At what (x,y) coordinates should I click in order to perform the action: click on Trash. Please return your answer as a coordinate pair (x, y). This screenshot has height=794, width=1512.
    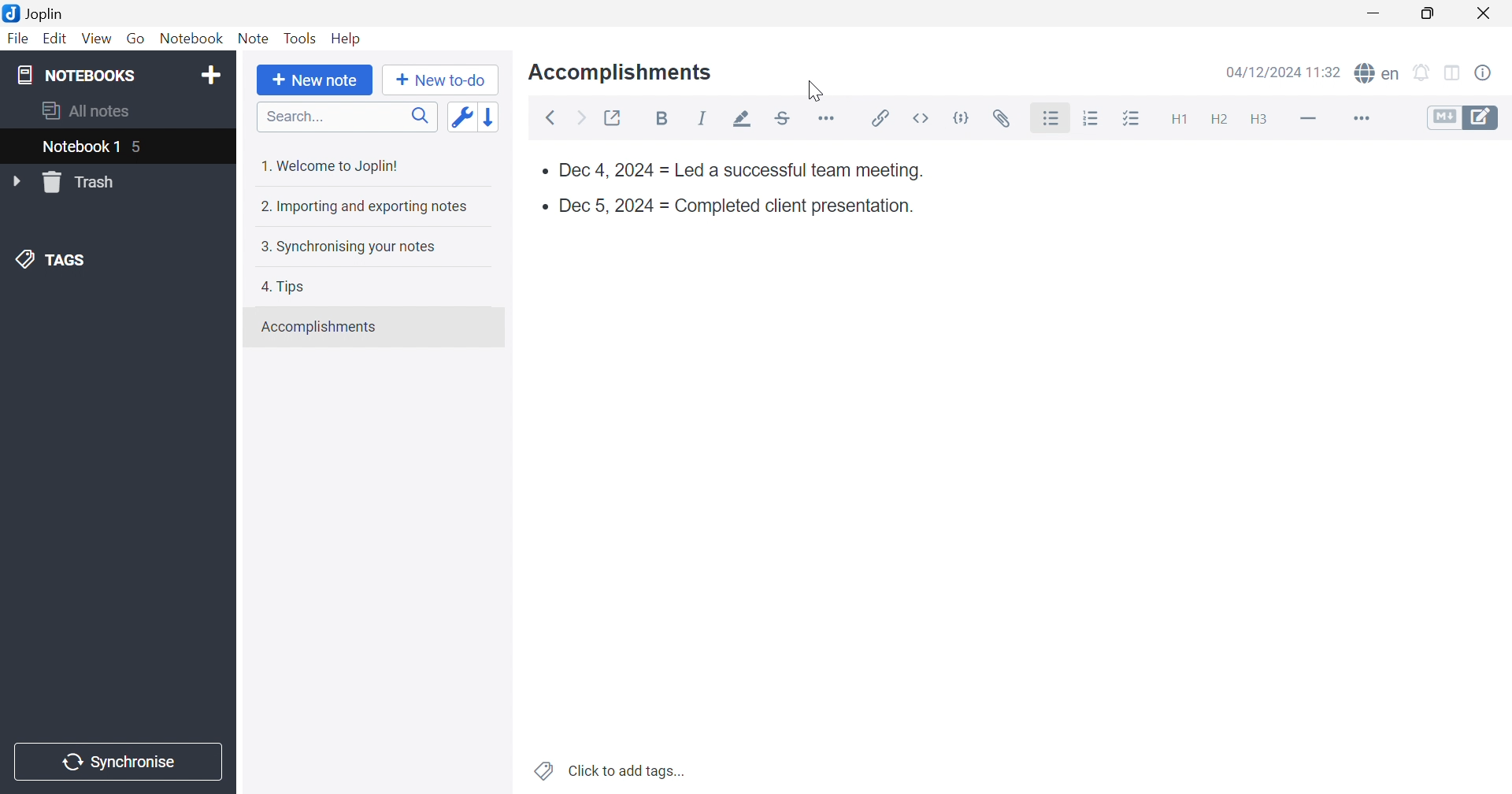
    Looking at the image, I should click on (83, 182).